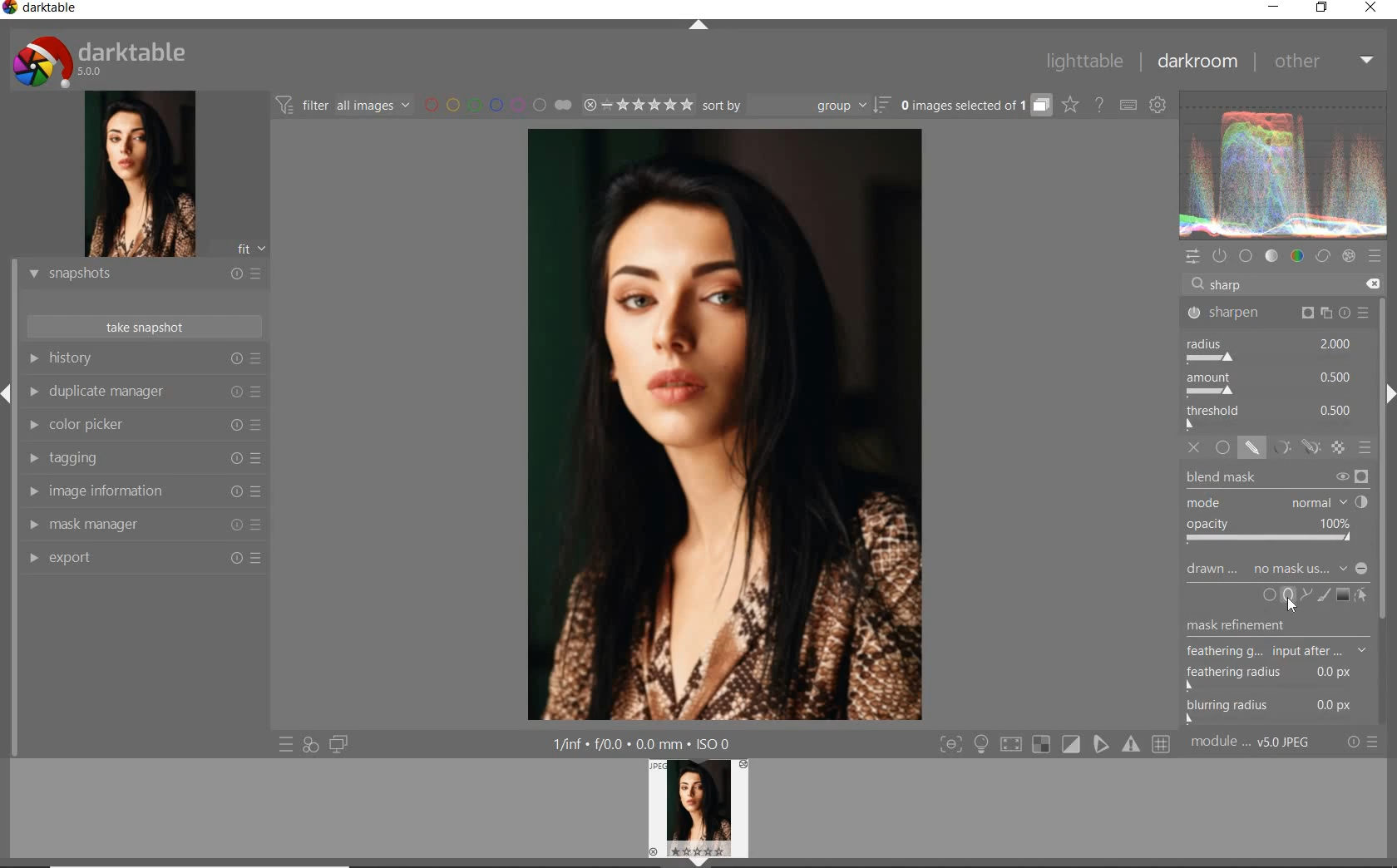 This screenshot has width=1397, height=868. What do you see at coordinates (1196, 448) in the screenshot?
I see `off` at bounding box center [1196, 448].